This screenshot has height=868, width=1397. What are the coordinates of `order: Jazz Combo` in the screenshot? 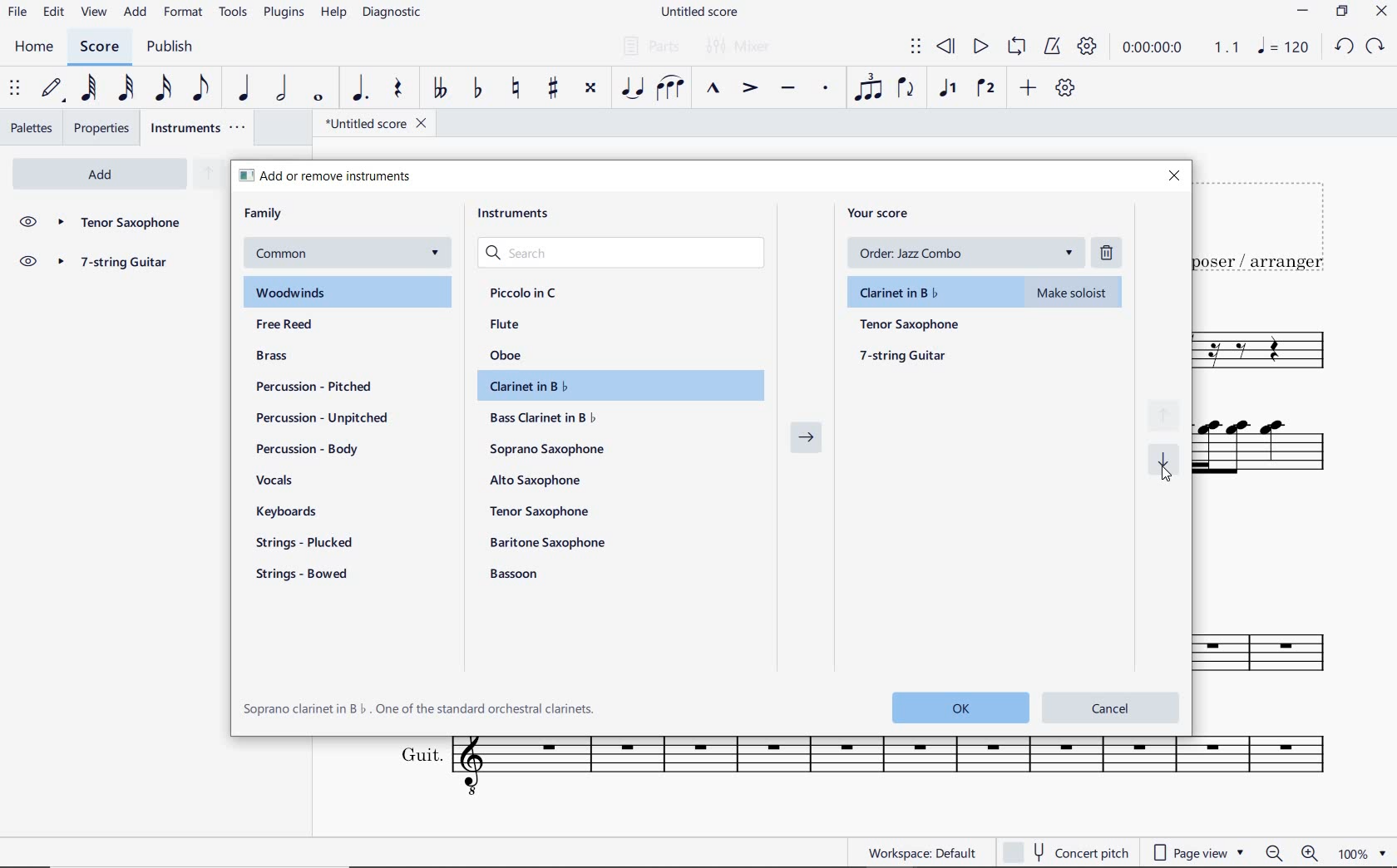 It's located at (971, 253).